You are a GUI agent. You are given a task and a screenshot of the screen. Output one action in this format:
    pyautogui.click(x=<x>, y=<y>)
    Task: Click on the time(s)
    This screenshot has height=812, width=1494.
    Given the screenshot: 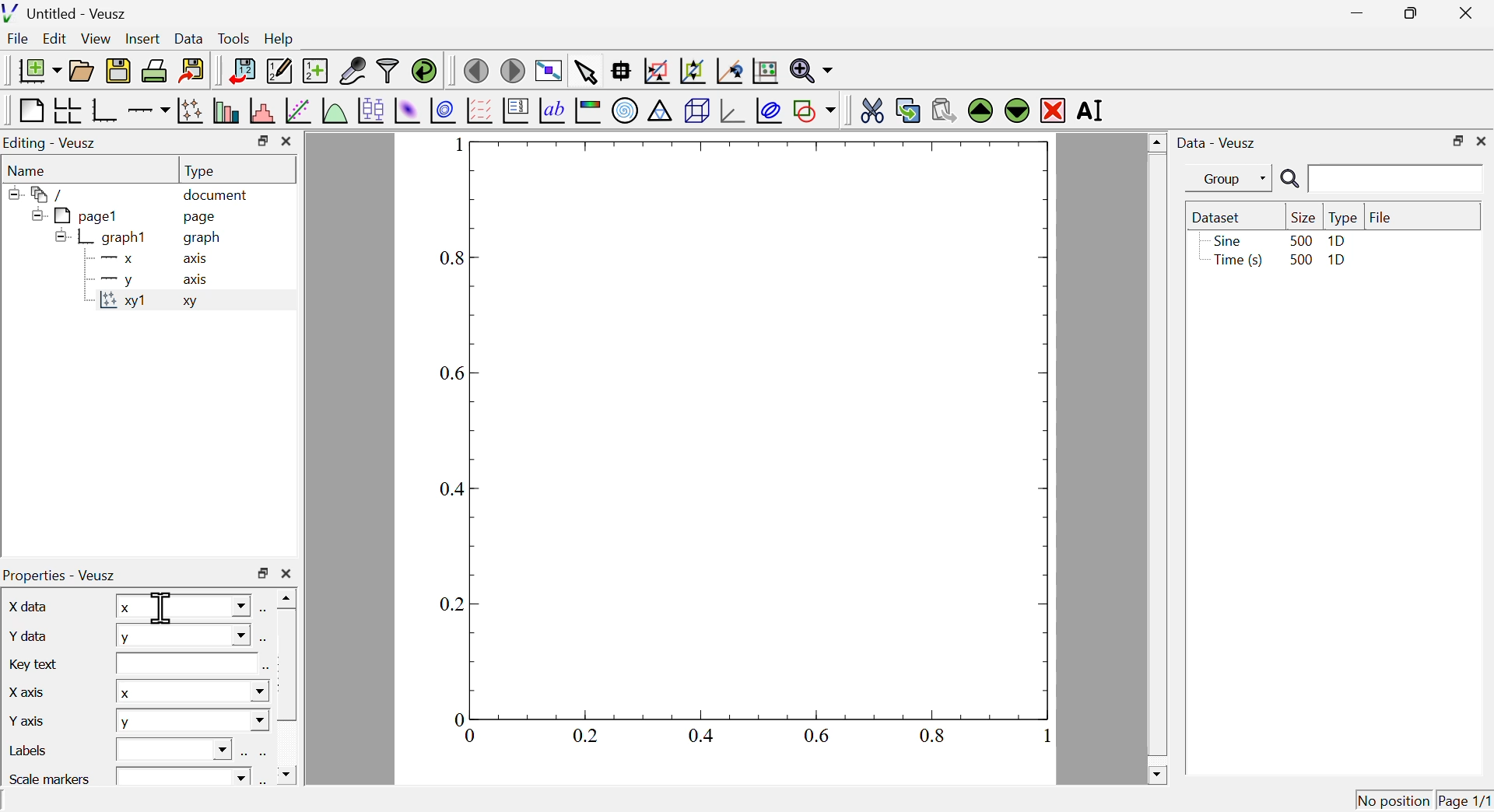 What is the action you would take?
    pyautogui.click(x=1235, y=261)
    